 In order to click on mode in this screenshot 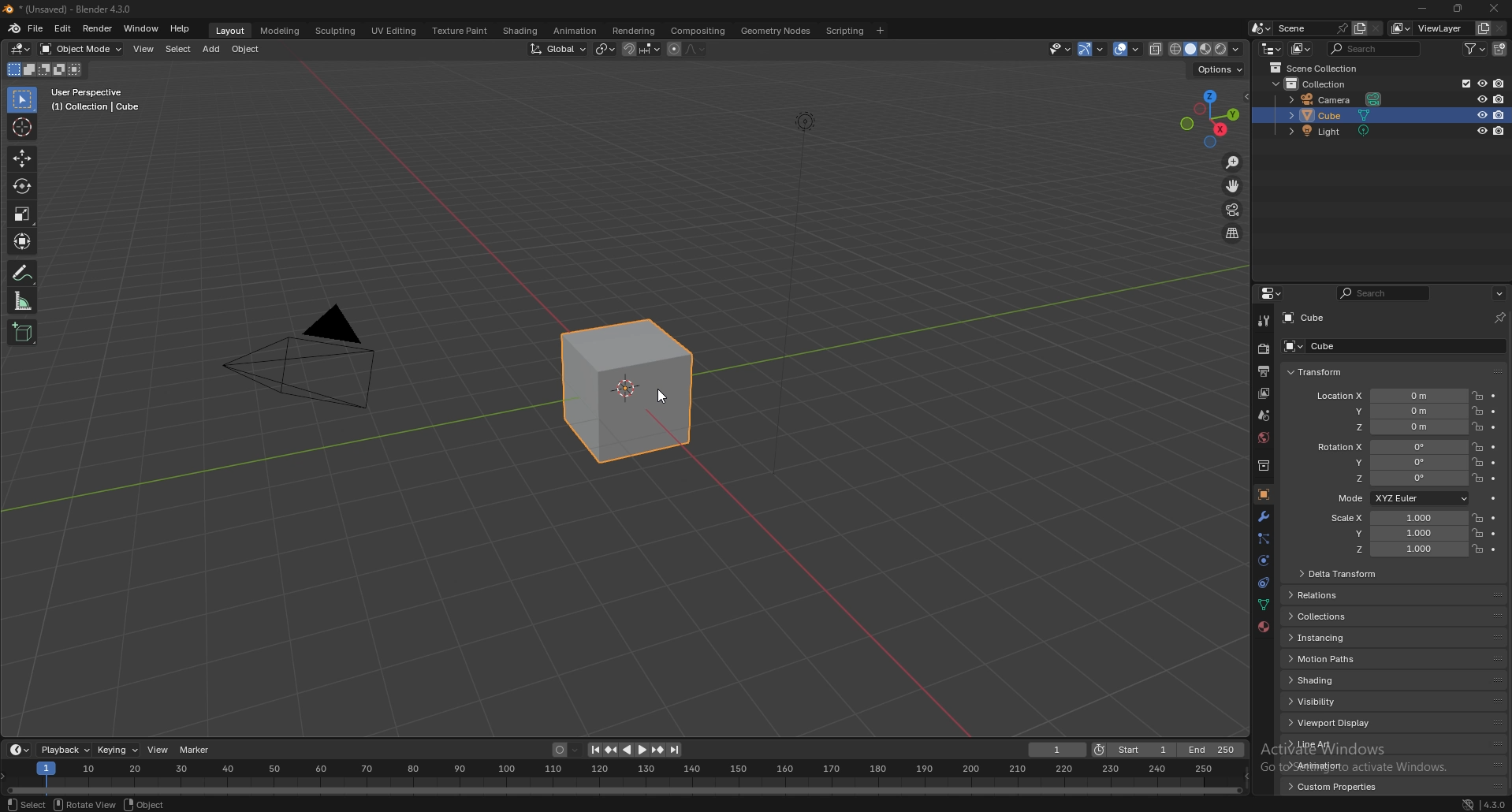, I will do `click(1401, 498)`.